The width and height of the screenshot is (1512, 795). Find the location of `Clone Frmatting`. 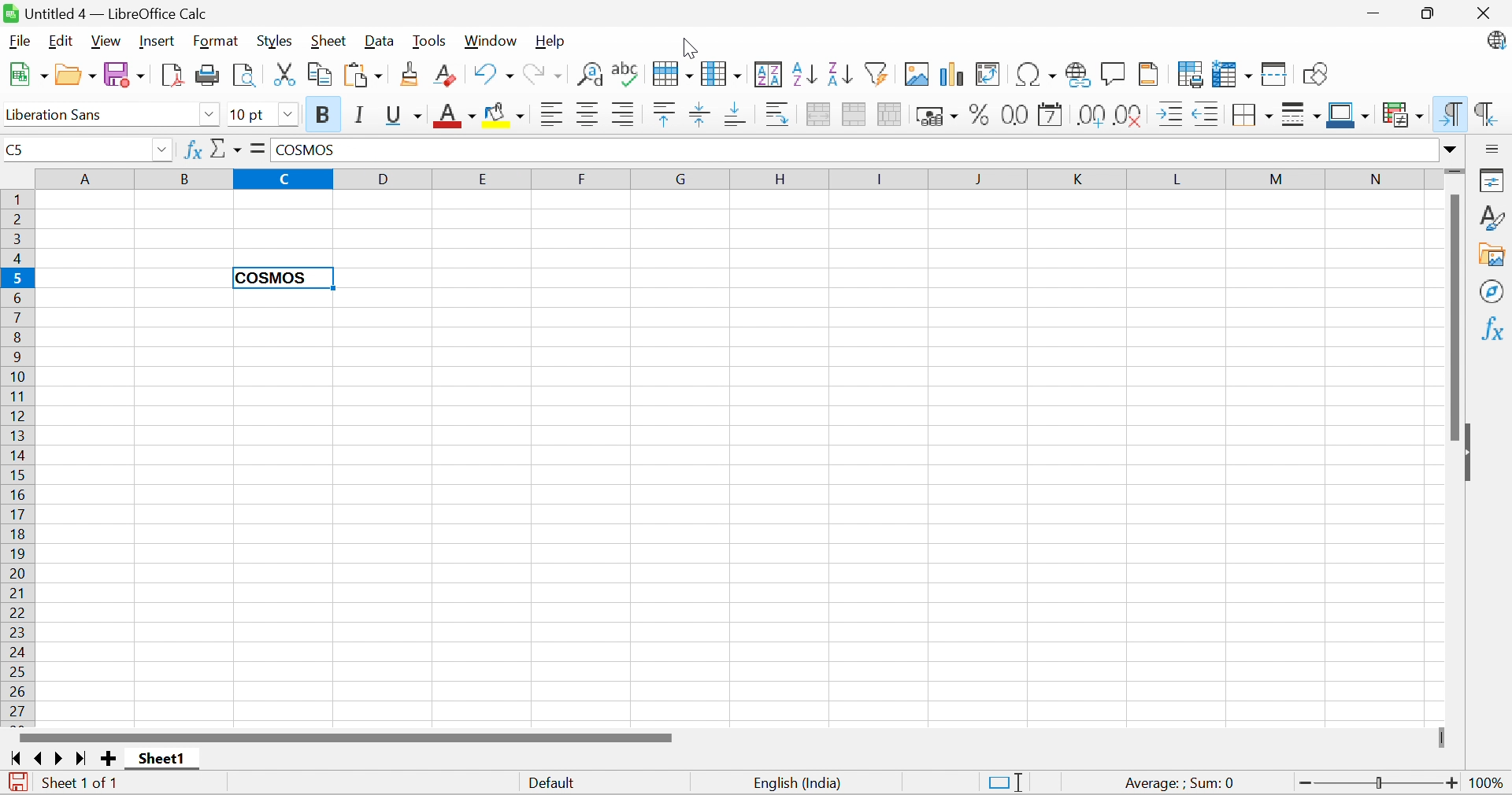

Clone Frmatting is located at coordinates (412, 73).